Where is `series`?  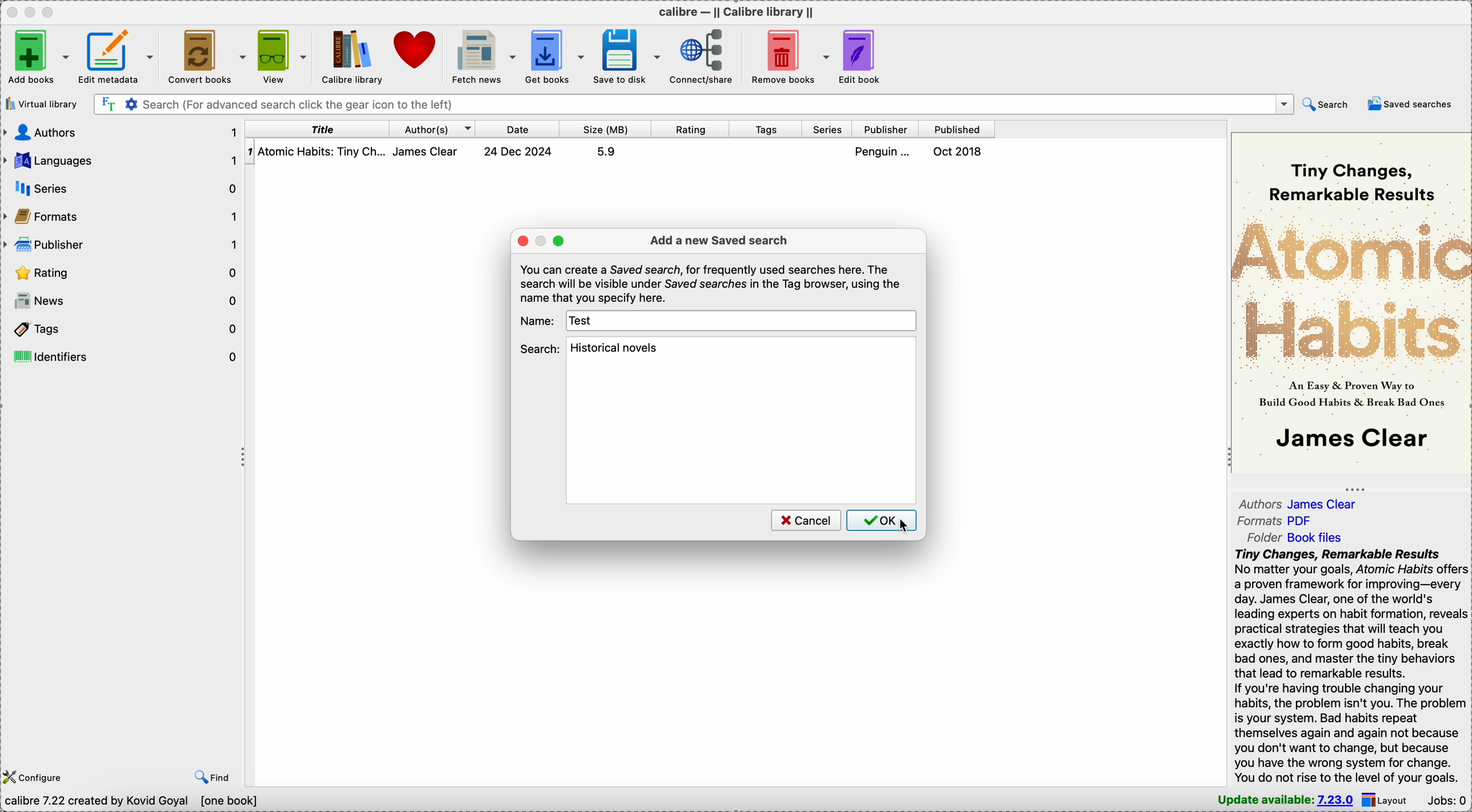 series is located at coordinates (828, 130).